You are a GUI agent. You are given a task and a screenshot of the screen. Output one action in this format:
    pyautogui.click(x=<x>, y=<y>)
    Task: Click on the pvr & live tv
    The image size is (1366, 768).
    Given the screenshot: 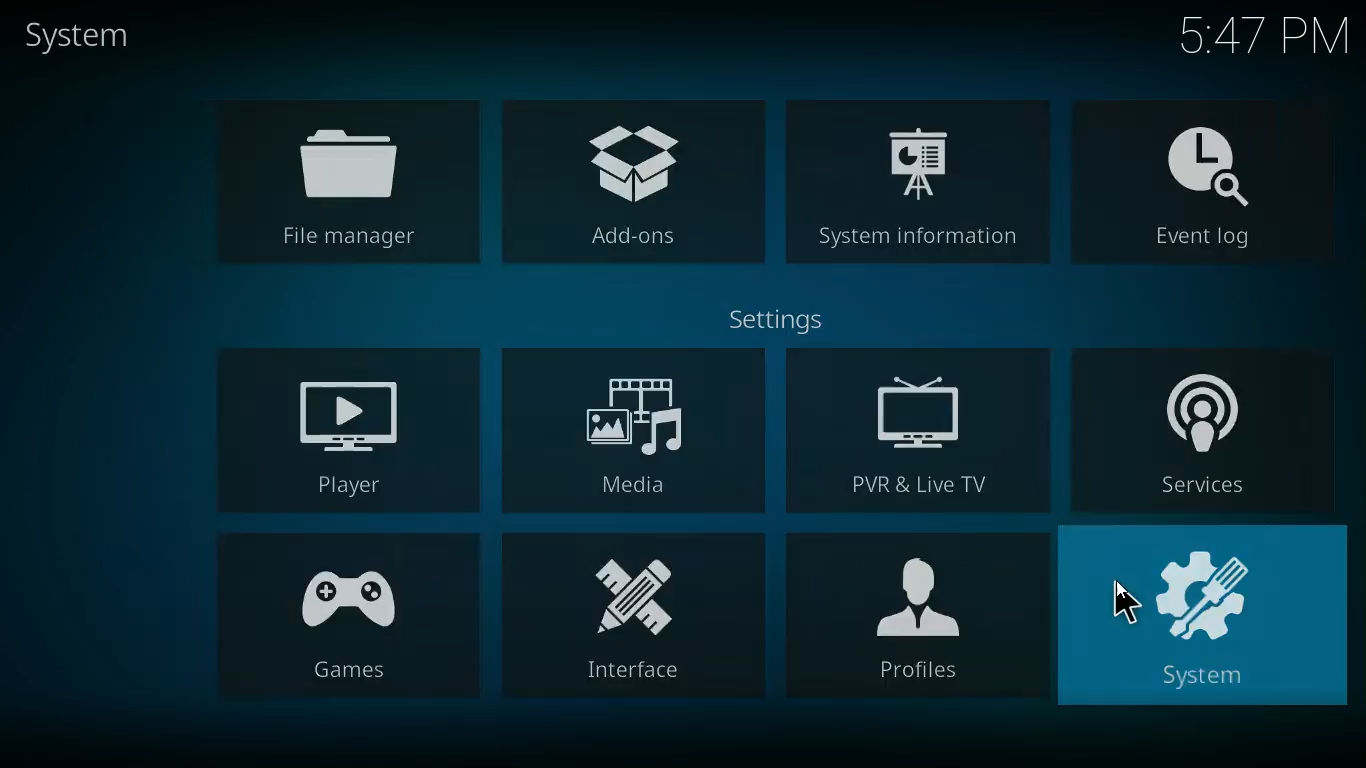 What is the action you would take?
    pyautogui.click(x=916, y=430)
    